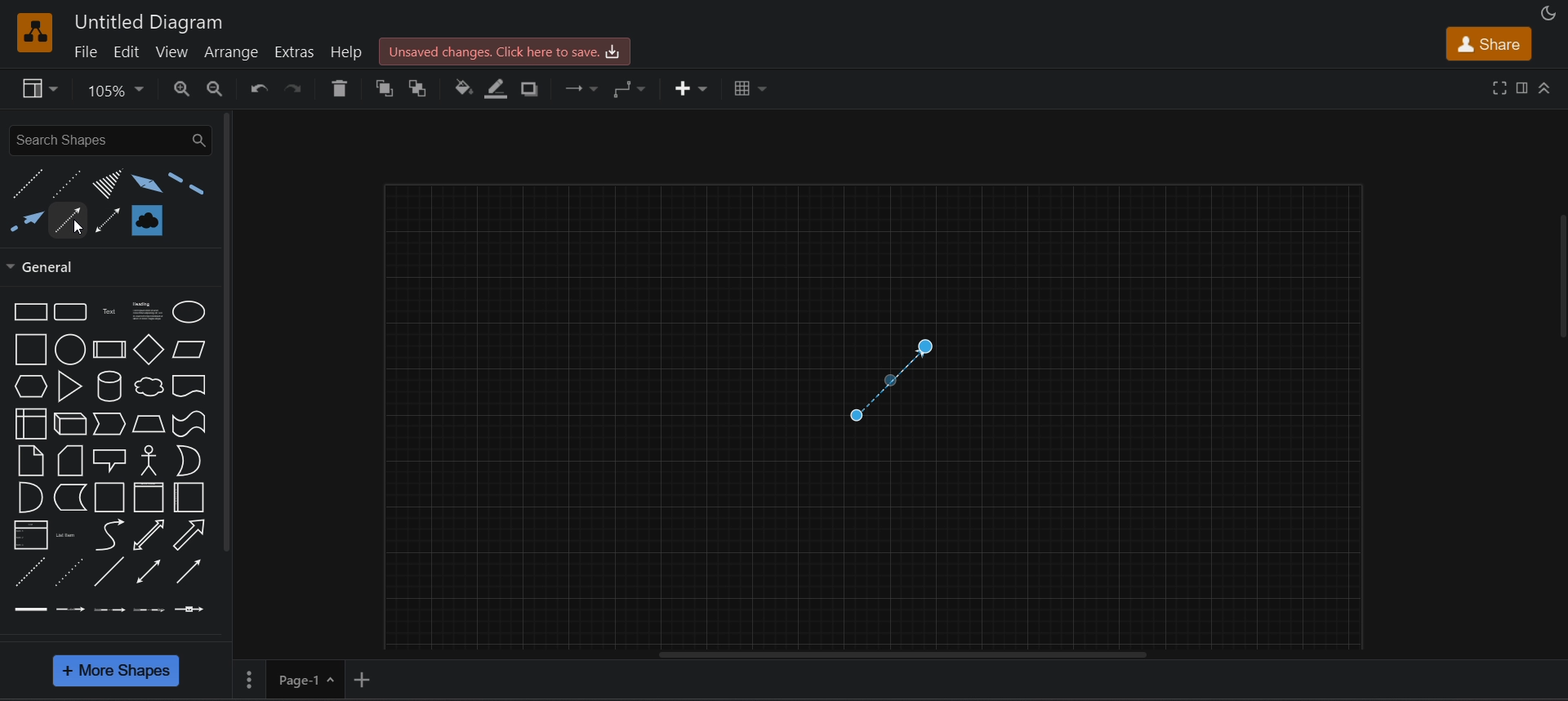 The width and height of the screenshot is (1568, 701). What do you see at coordinates (688, 87) in the screenshot?
I see `insert` at bounding box center [688, 87].